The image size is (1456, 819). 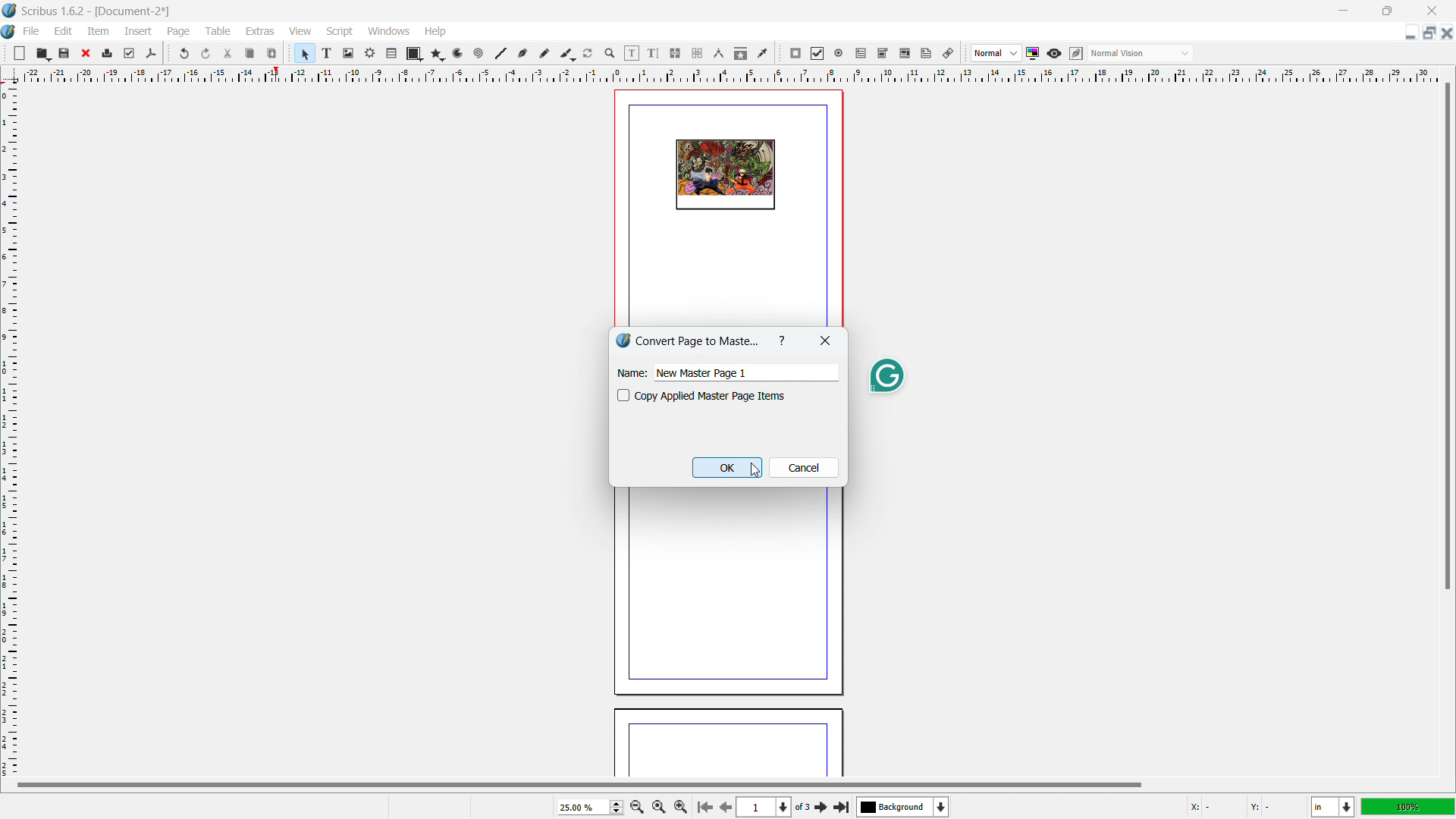 What do you see at coordinates (1408, 806) in the screenshot?
I see `zoom level` at bounding box center [1408, 806].